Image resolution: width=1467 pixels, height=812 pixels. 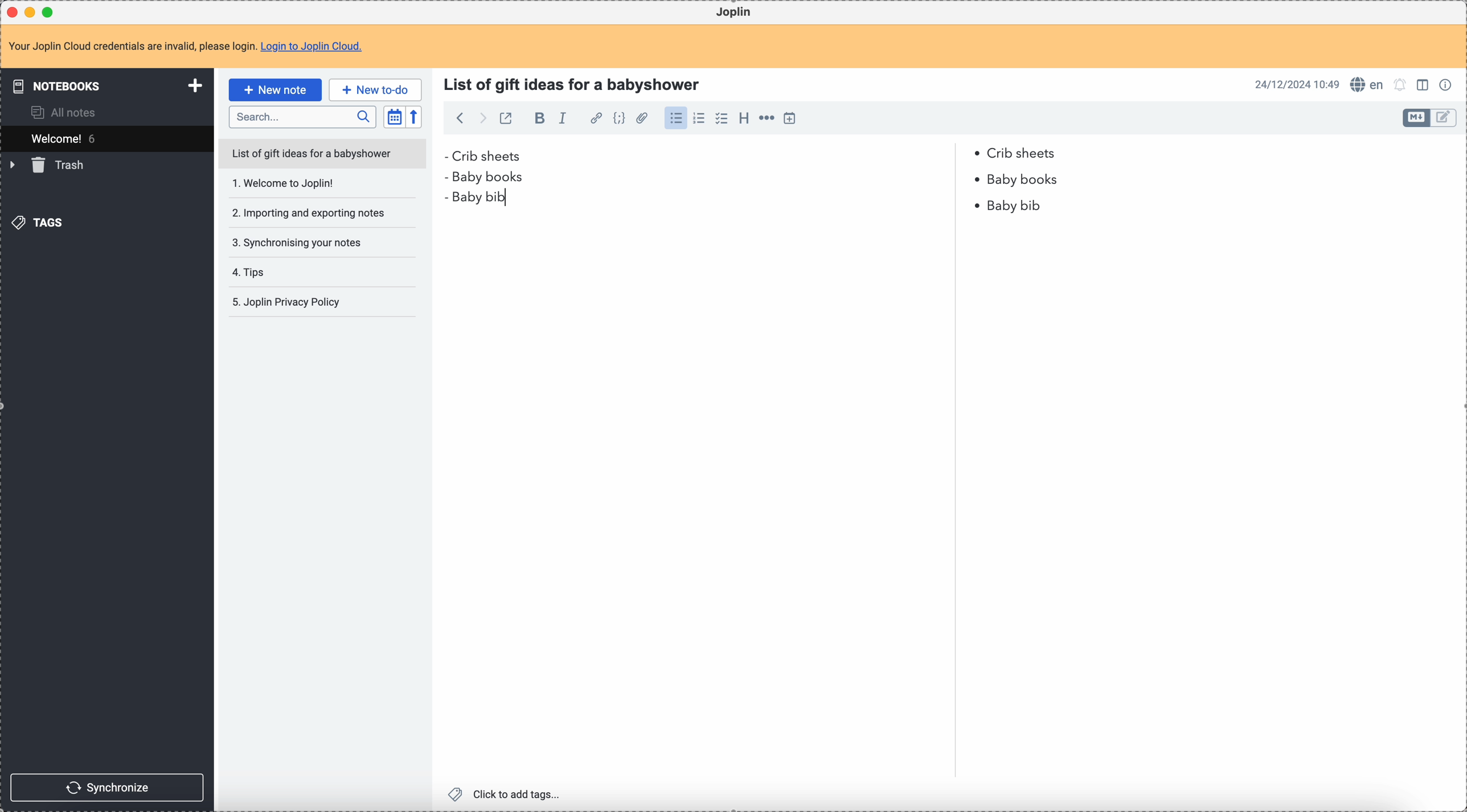 I want to click on close Joplin, so click(x=11, y=12).